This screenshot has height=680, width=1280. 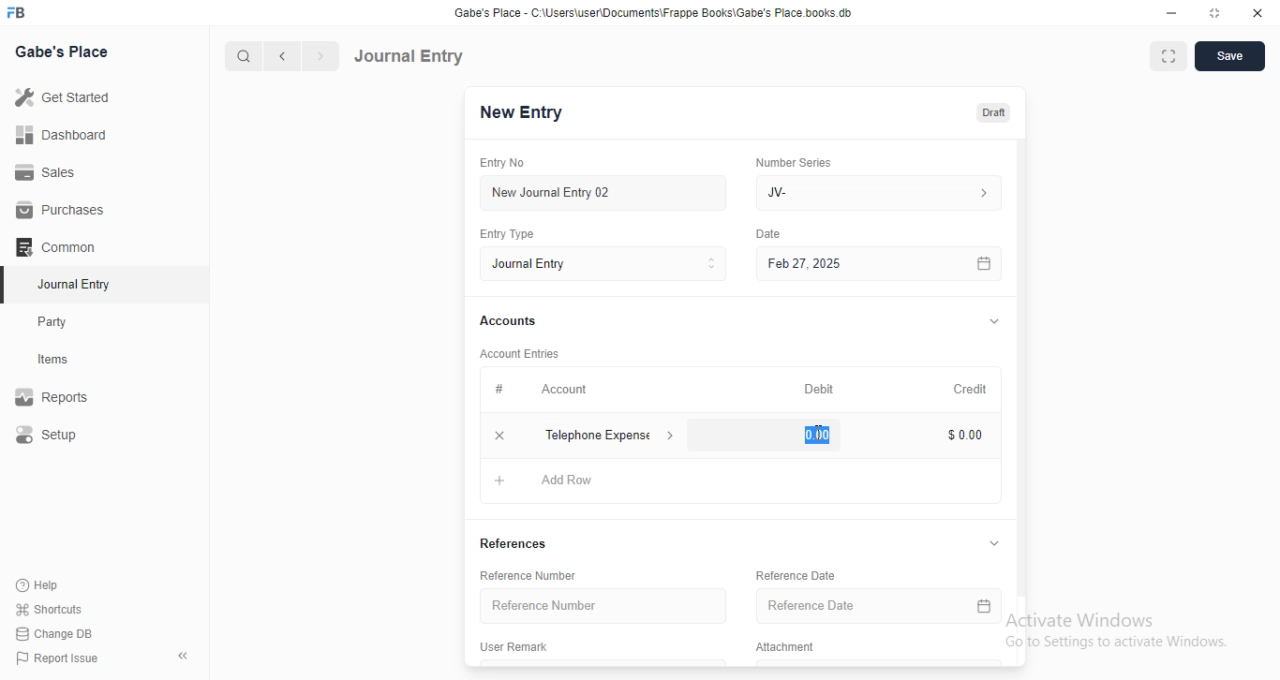 What do you see at coordinates (519, 353) in the screenshot?
I see `Account entries` at bounding box center [519, 353].